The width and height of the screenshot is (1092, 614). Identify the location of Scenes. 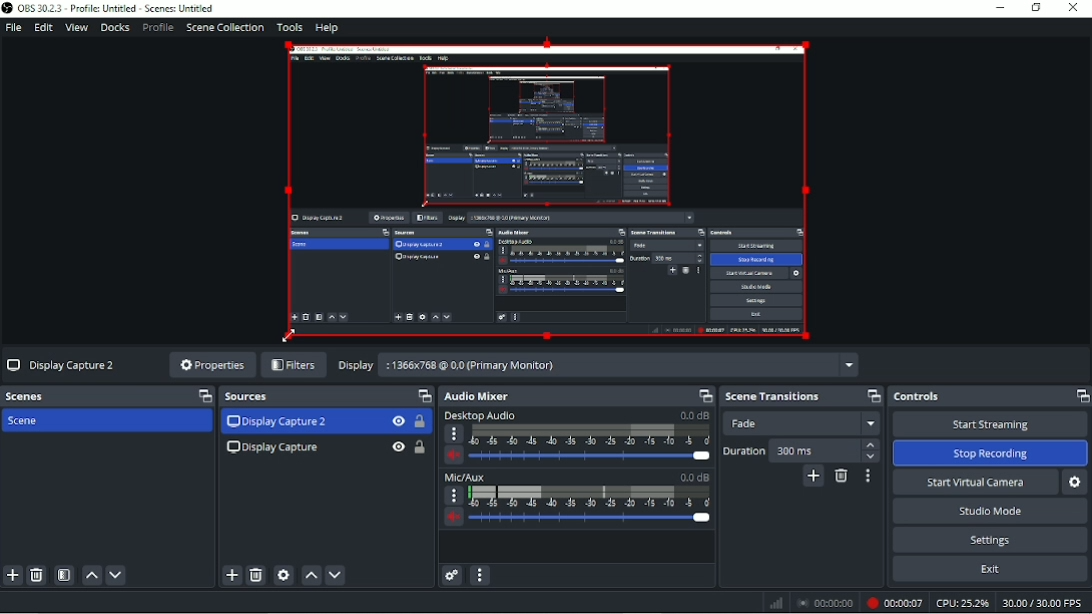
(29, 397).